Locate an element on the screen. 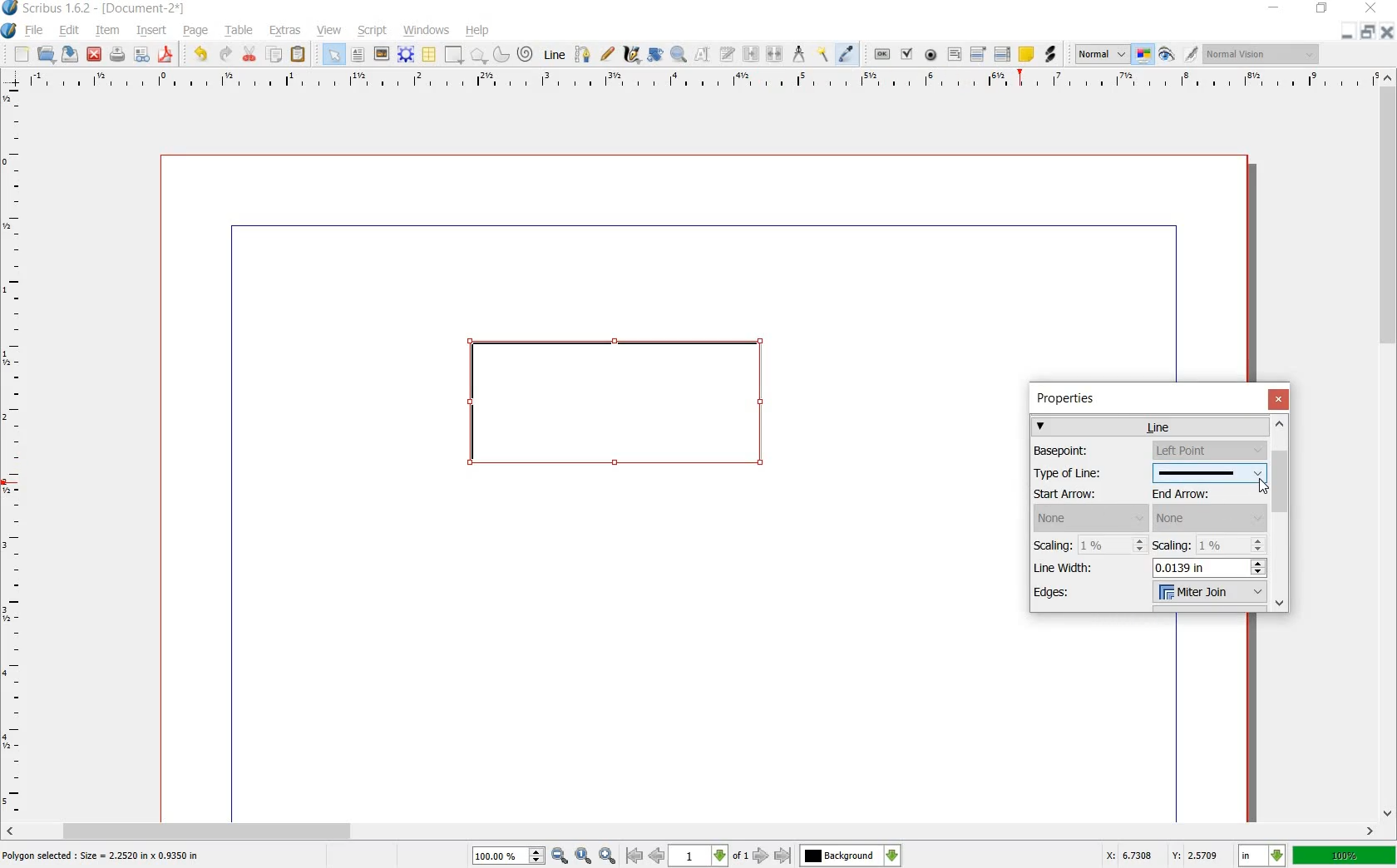  CLOSE is located at coordinates (94, 54).